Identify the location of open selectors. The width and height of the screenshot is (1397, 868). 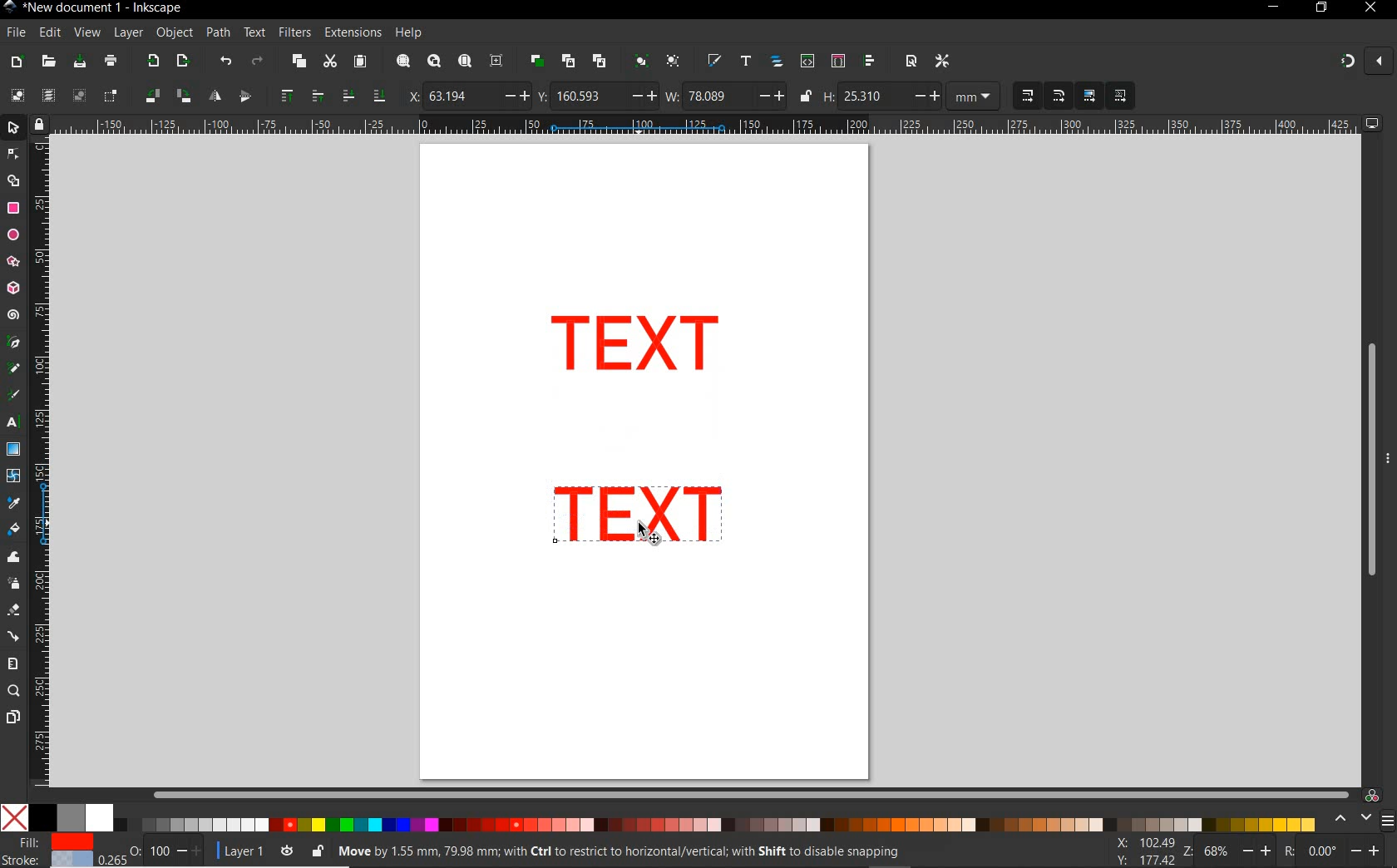
(837, 62).